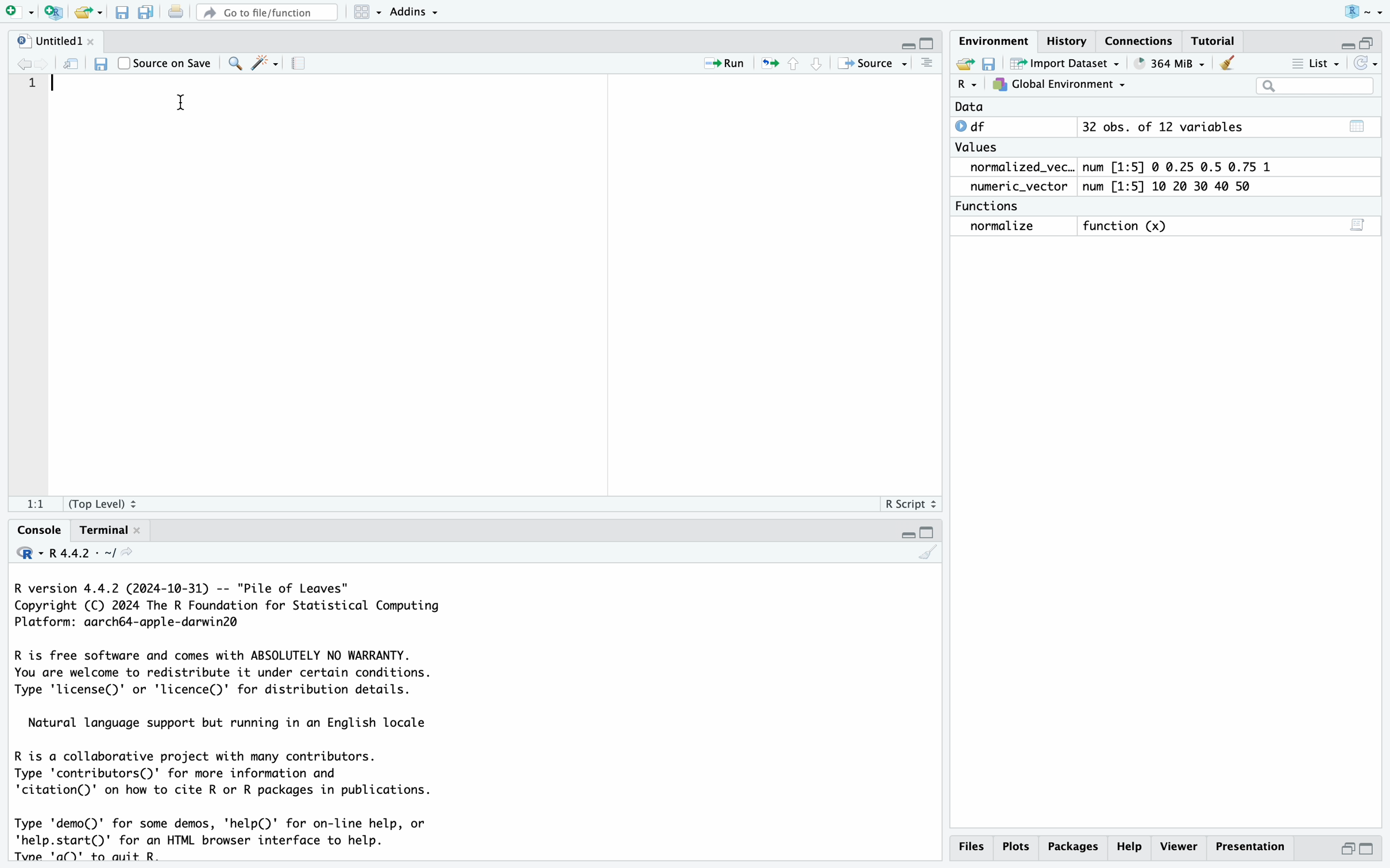 This screenshot has width=1390, height=868. What do you see at coordinates (1360, 41) in the screenshot?
I see `Fullscreen` at bounding box center [1360, 41].